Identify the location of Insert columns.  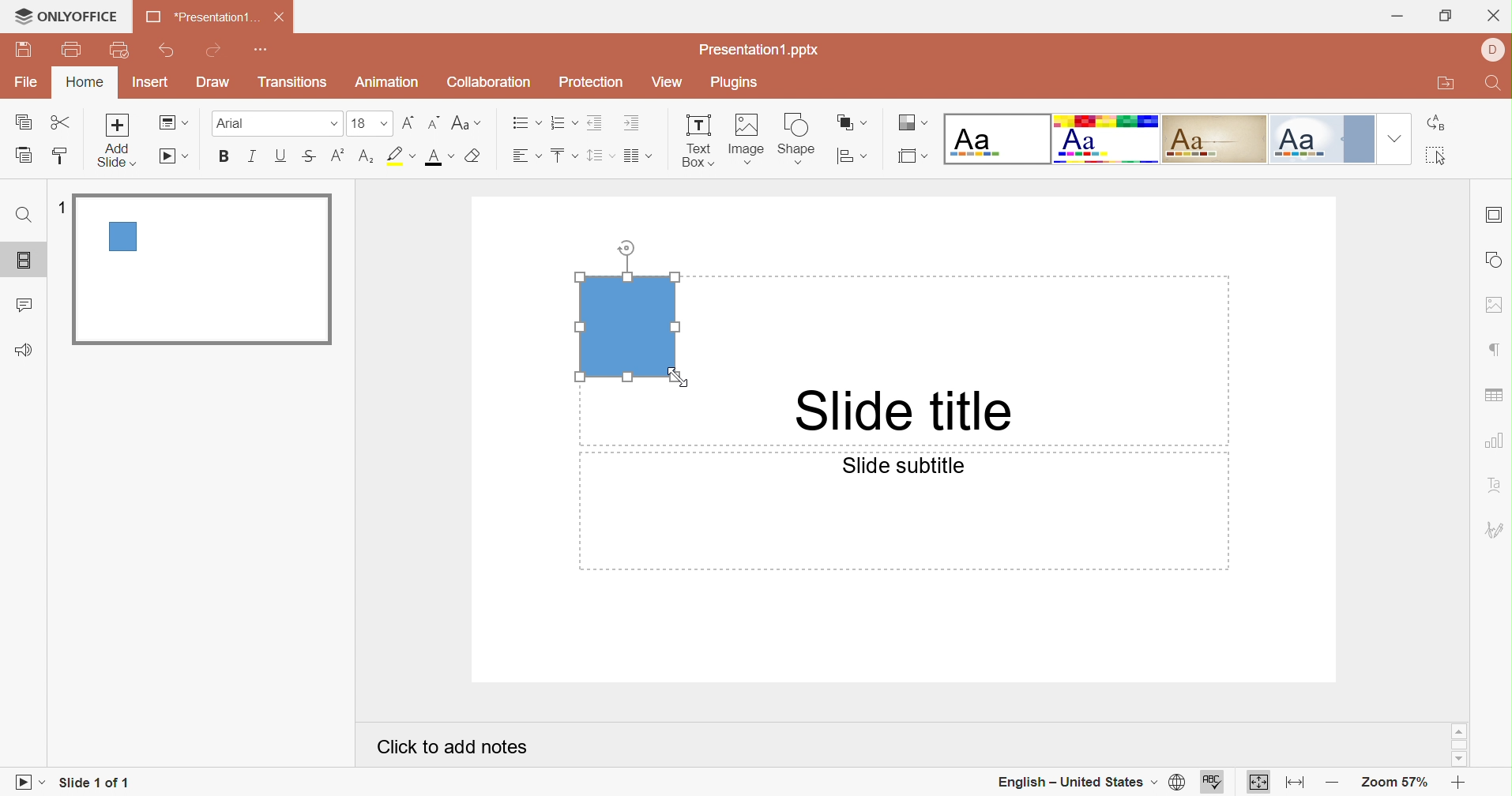
(639, 156).